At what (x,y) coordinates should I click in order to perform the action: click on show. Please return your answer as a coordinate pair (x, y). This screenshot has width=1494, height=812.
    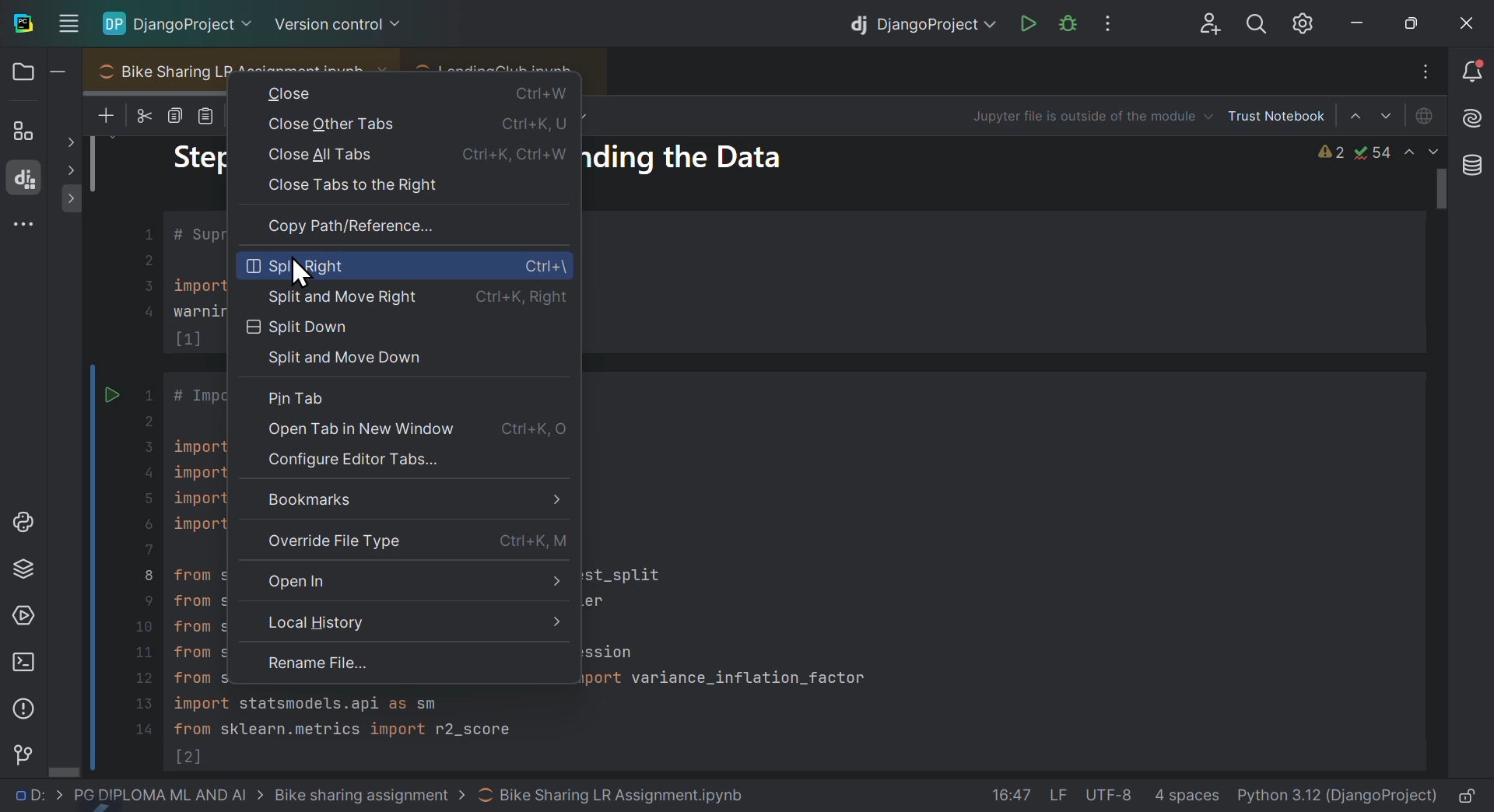
    Looking at the image, I should click on (72, 196).